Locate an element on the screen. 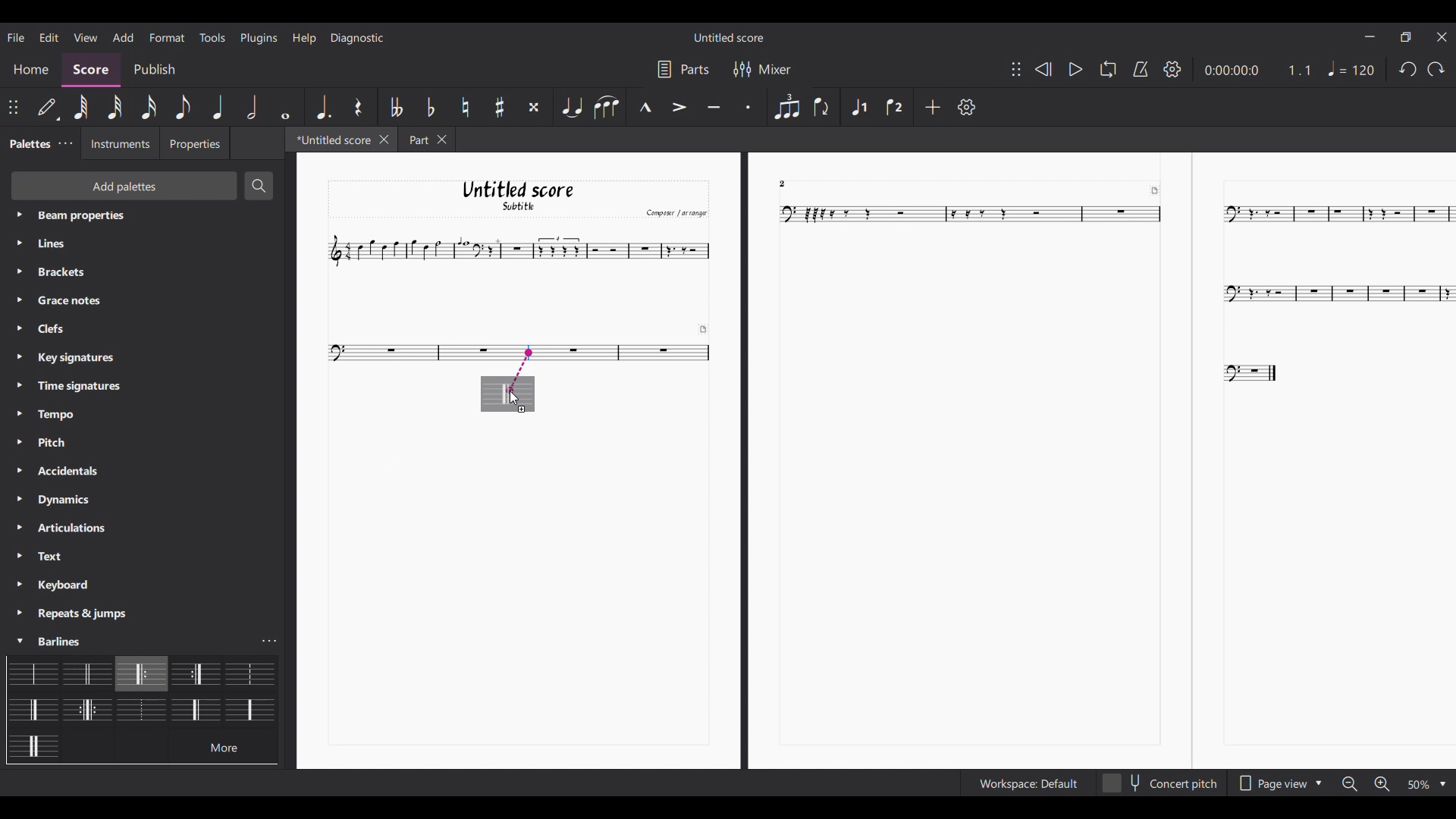  Palette settings is located at coordinates (65, 143).